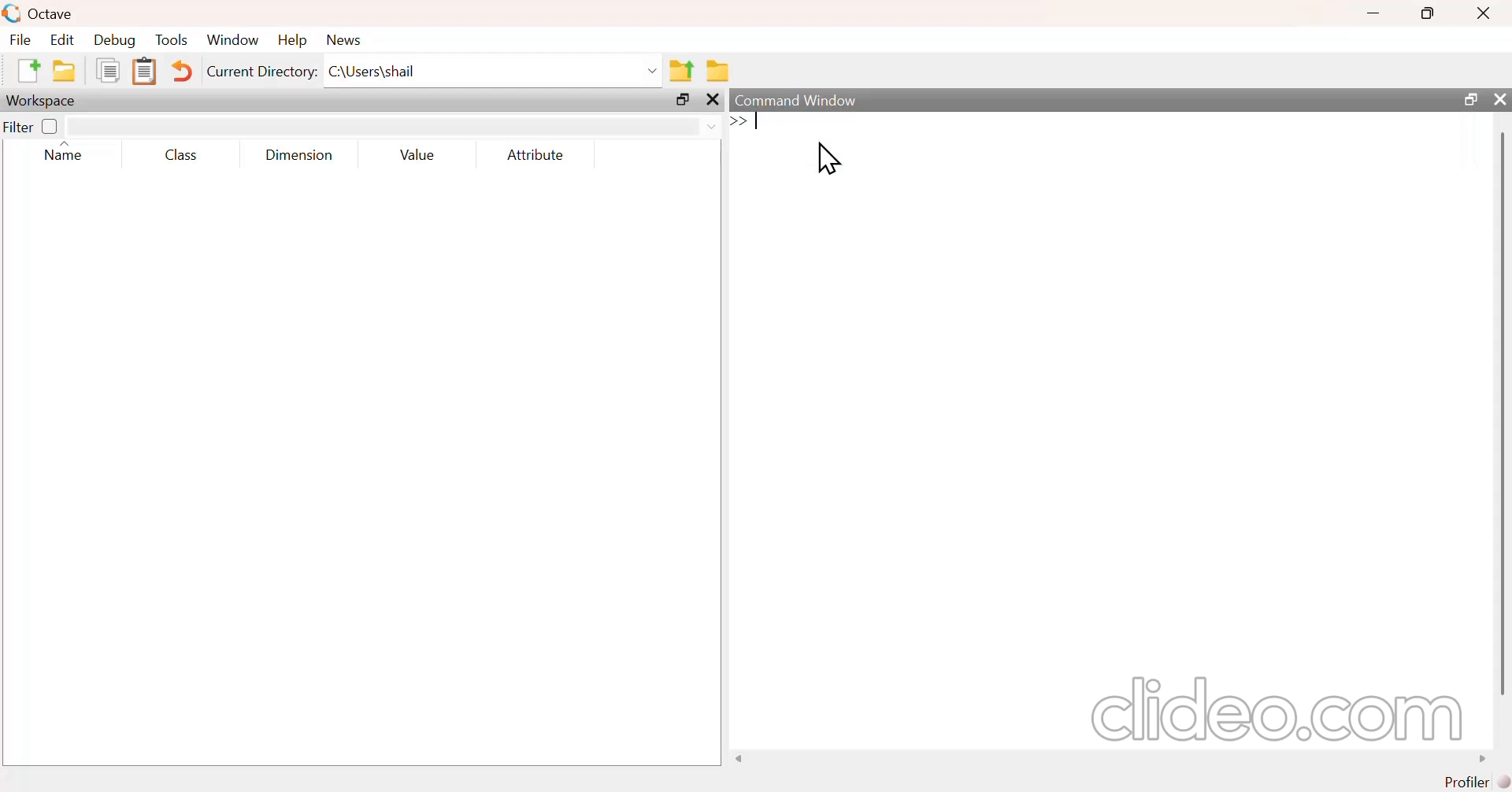 The height and width of the screenshot is (792, 1512). What do you see at coordinates (10, 13) in the screenshot?
I see `logo` at bounding box center [10, 13].